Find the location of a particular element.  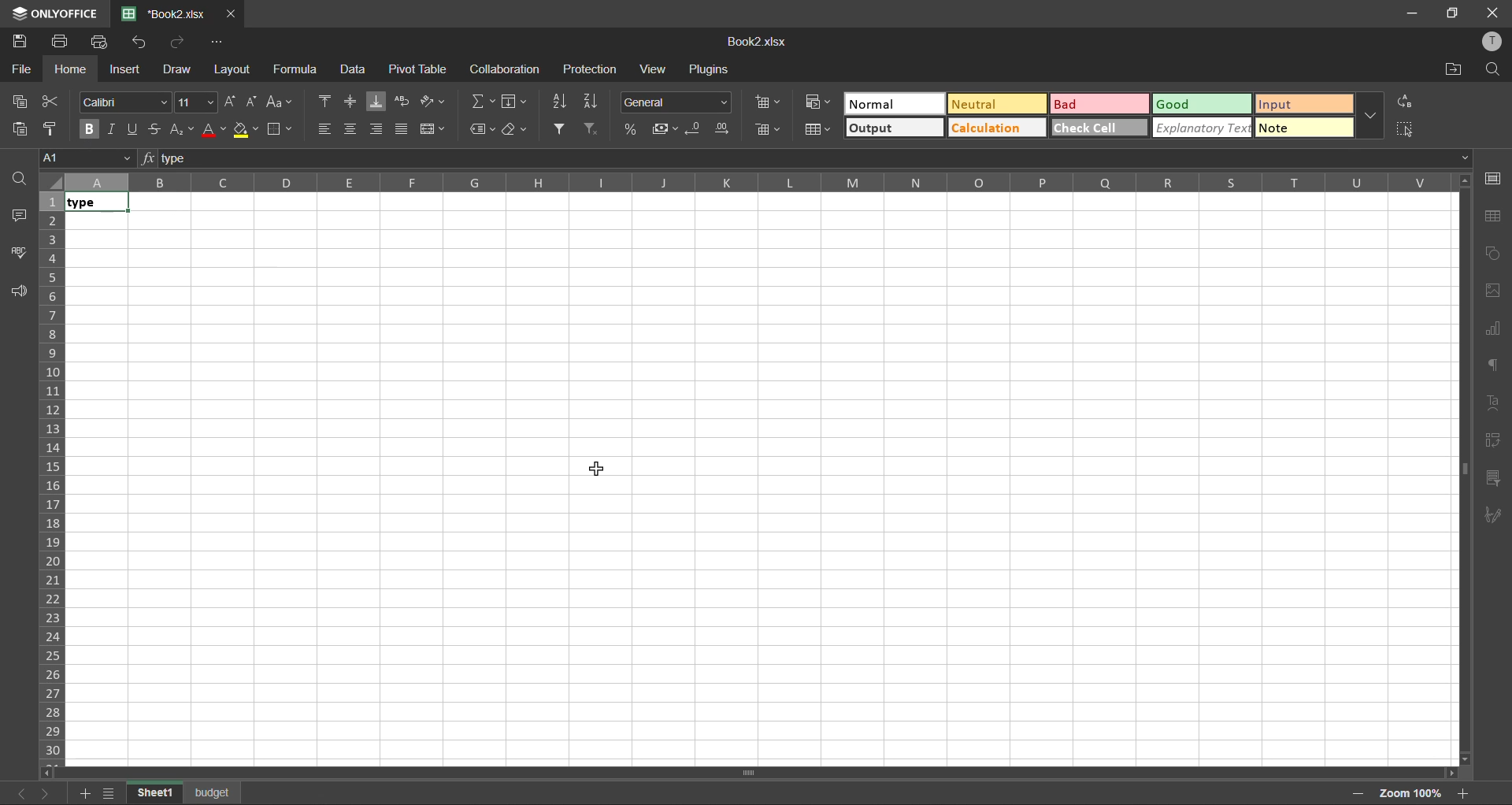

insert is located at coordinates (126, 69).